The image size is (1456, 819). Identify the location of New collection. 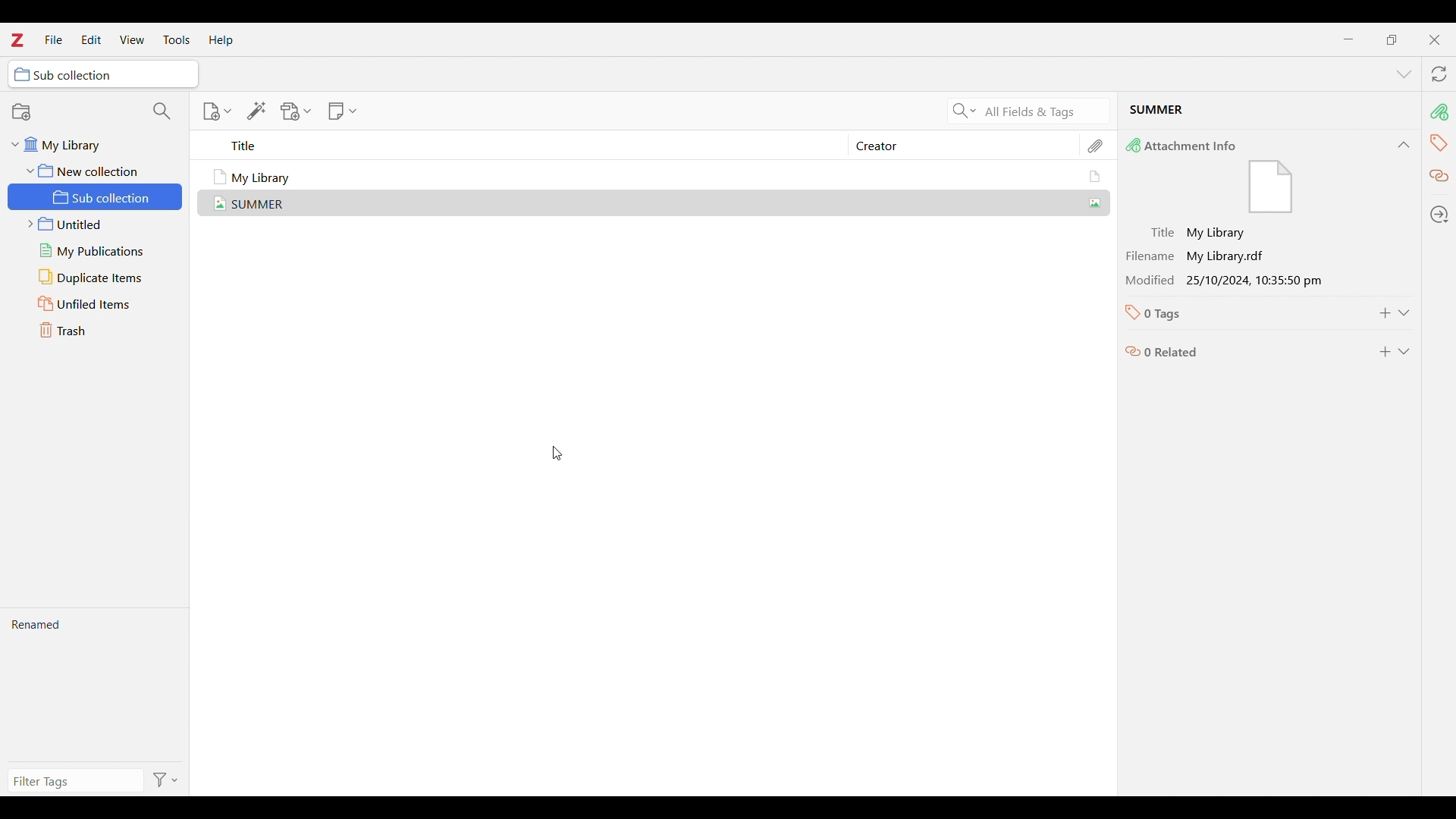
(74, 111).